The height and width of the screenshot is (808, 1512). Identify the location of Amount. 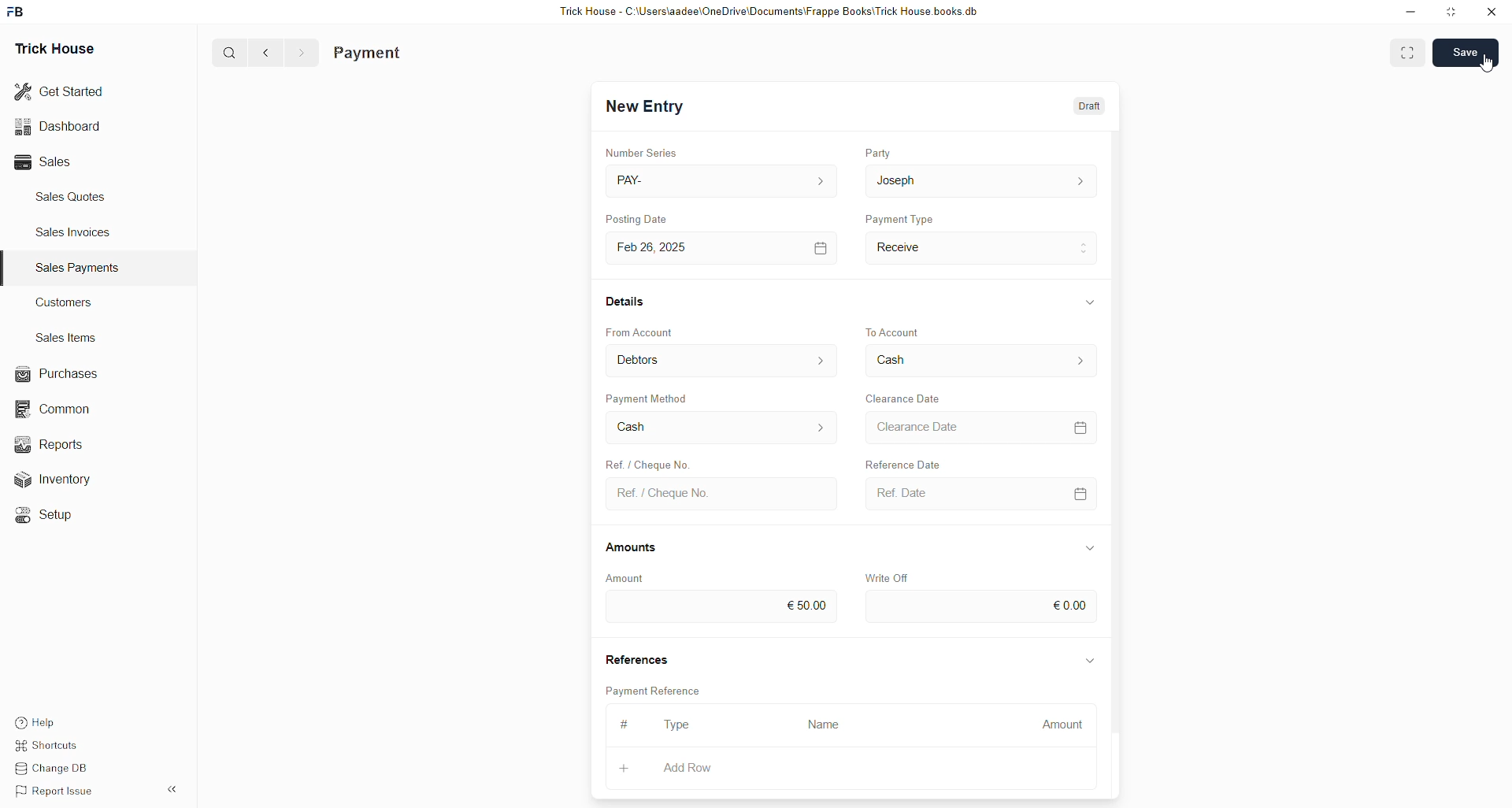
(626, 579).